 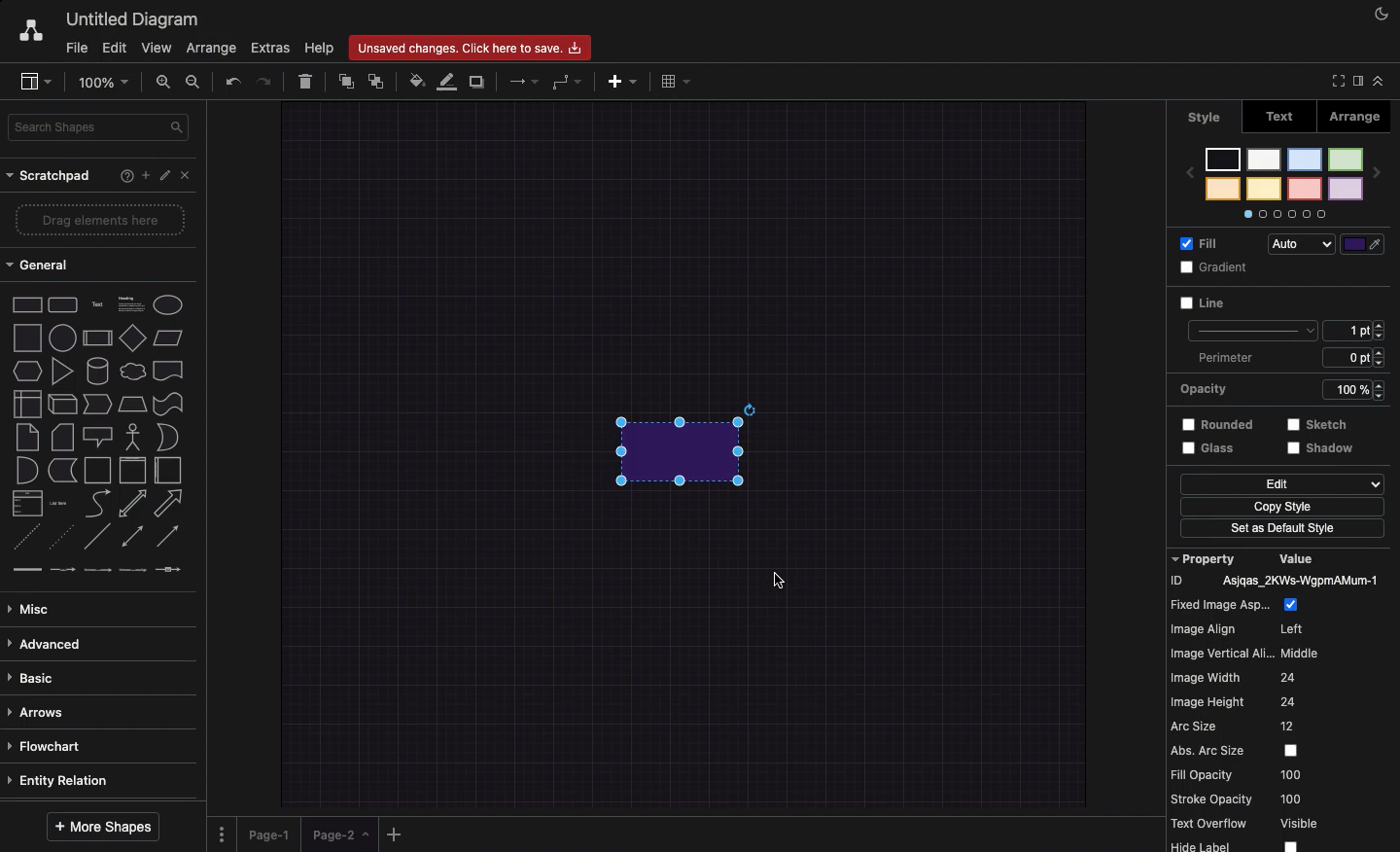 What do you see at coordinates (97, 503) in the screenshot?
I see `curve` at bounding box center [97, 503].